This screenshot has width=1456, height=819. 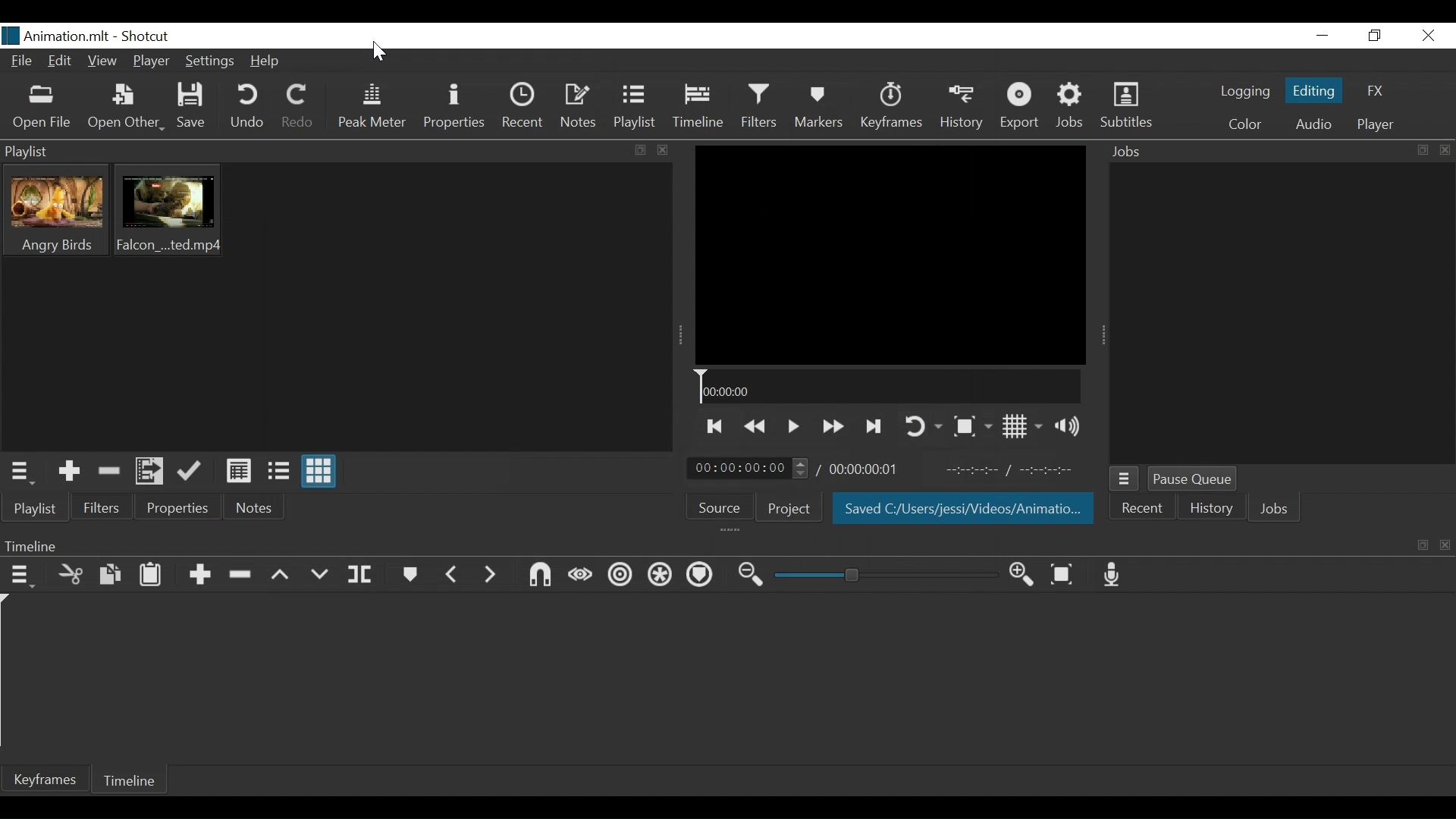 I want to click on In point, so click(x=1014, y=469).